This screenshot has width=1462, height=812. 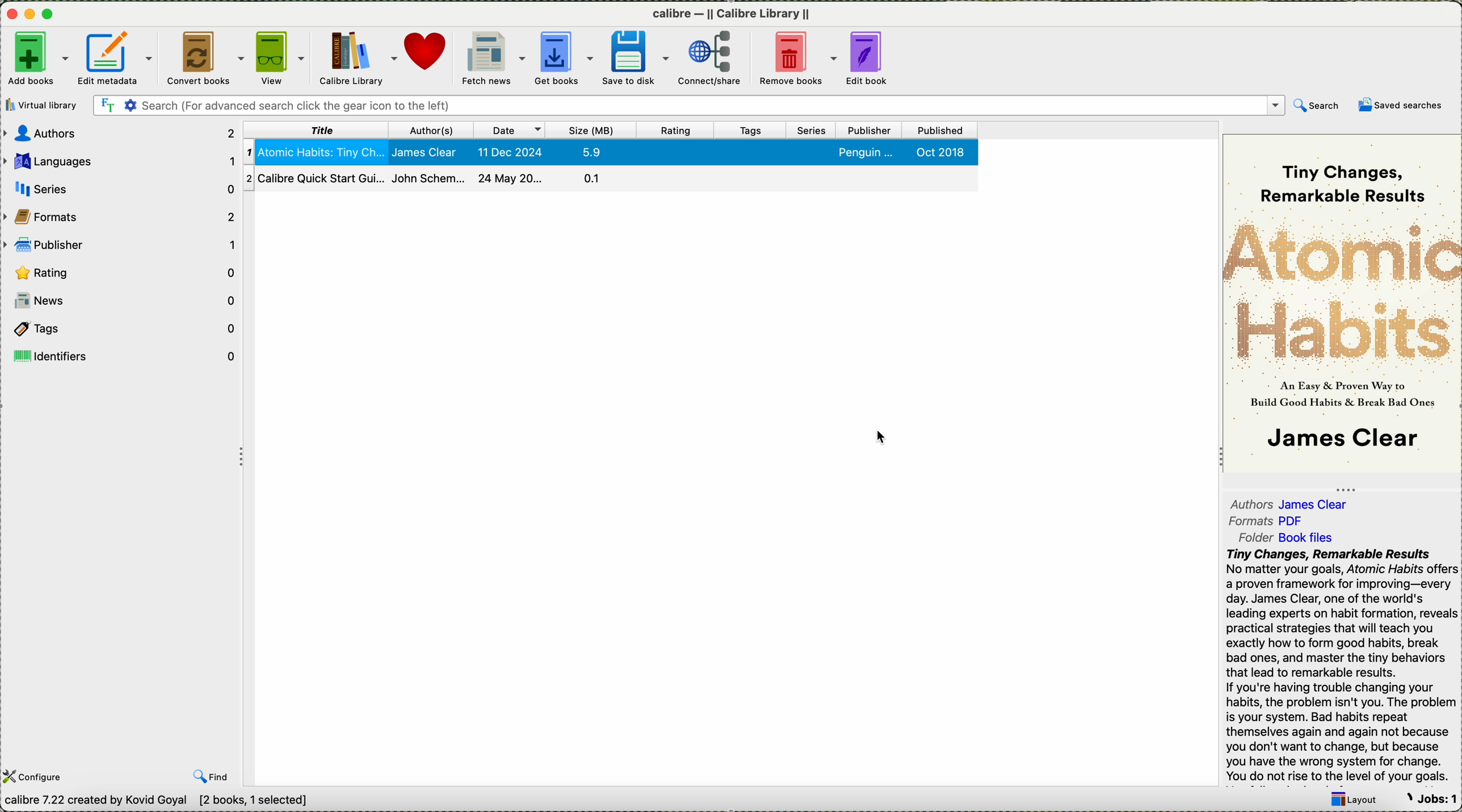 What do you see at coordinates (566, 59) in the screenshot?
I see `get books` at bounding box center [566, 59].